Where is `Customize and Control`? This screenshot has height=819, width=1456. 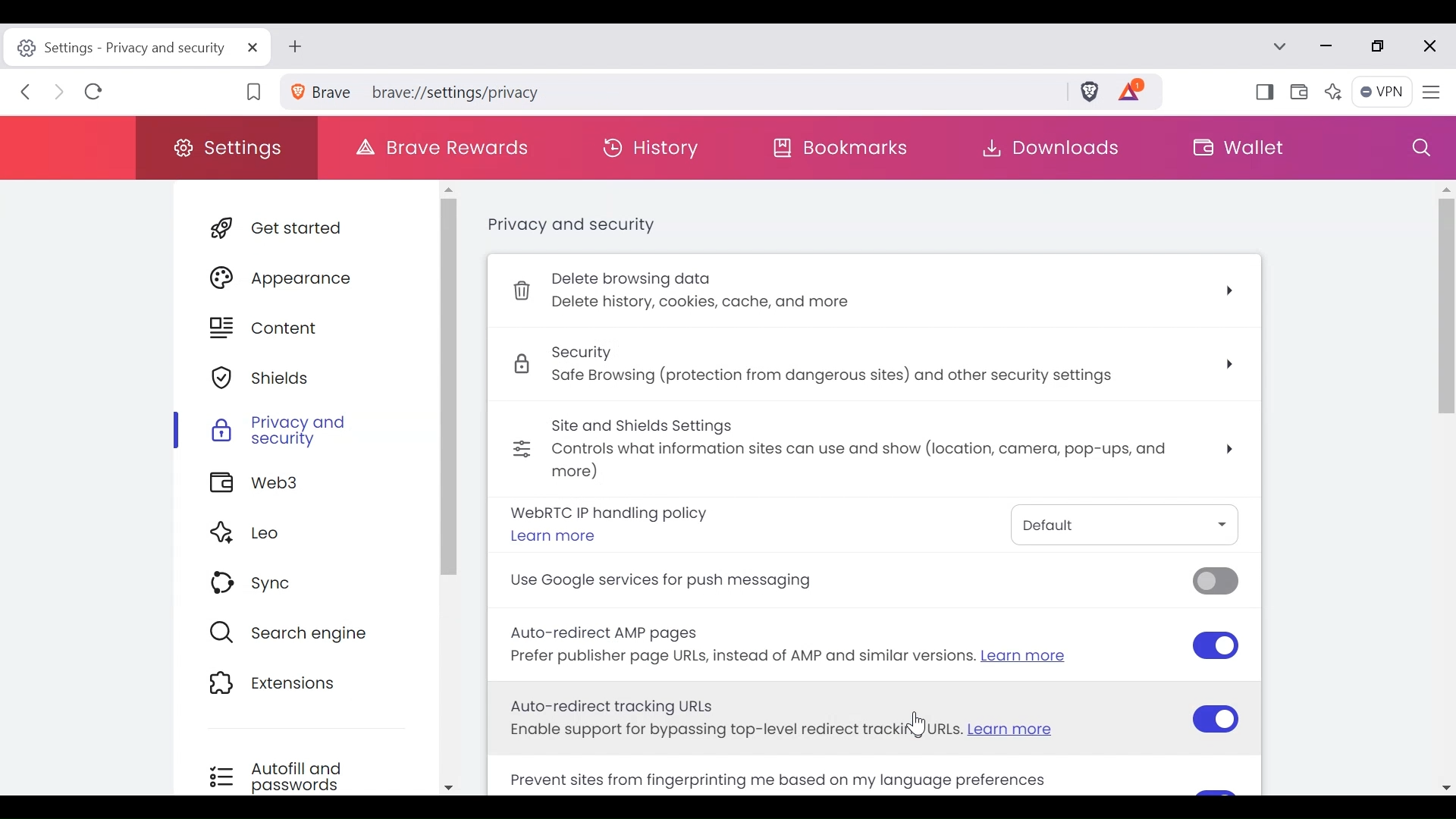 Customize and Control is located at coordinates (1431, 92).